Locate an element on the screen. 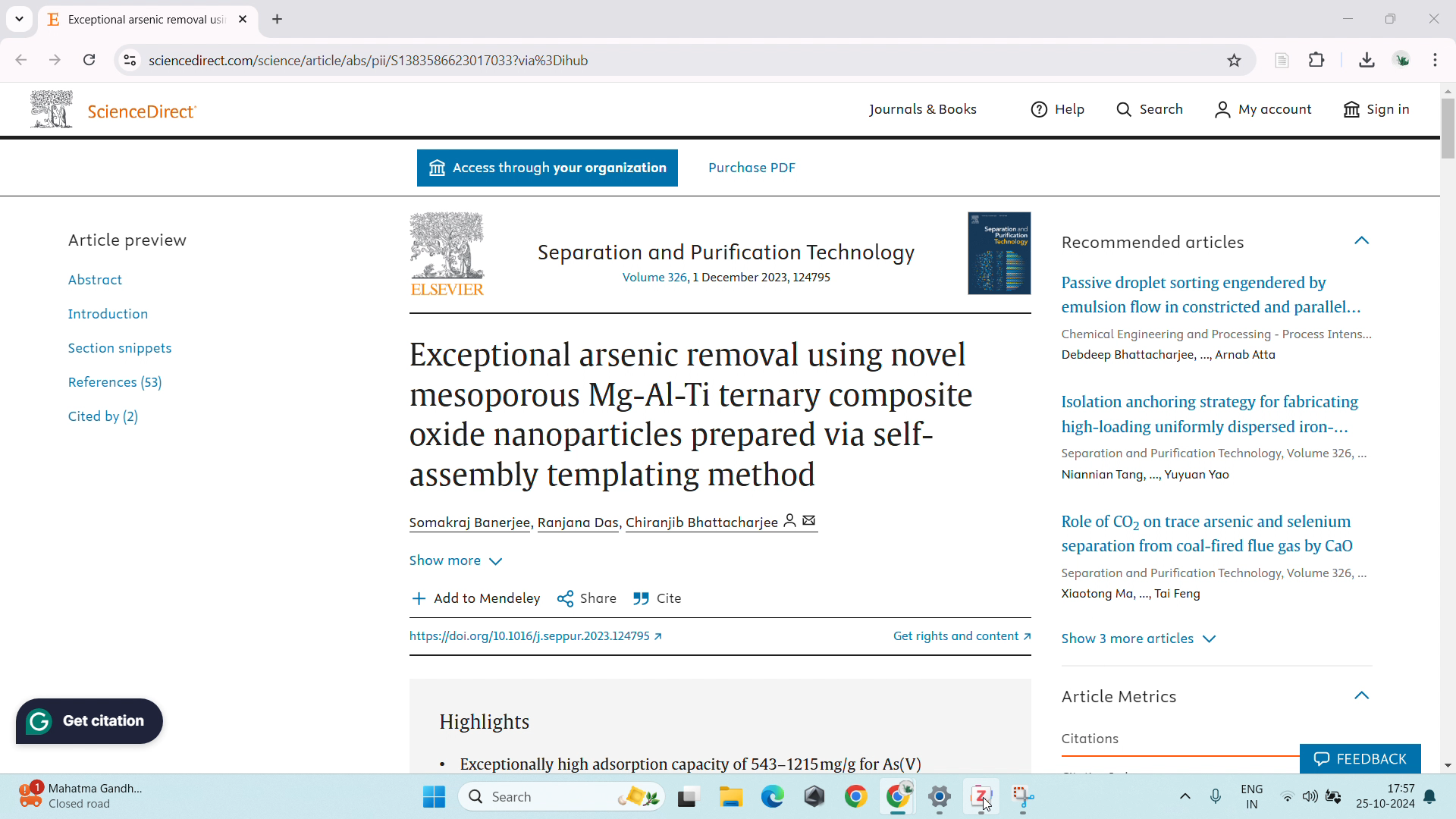 The image size is (1456, 819). account is located at coordinates (1401, 58).